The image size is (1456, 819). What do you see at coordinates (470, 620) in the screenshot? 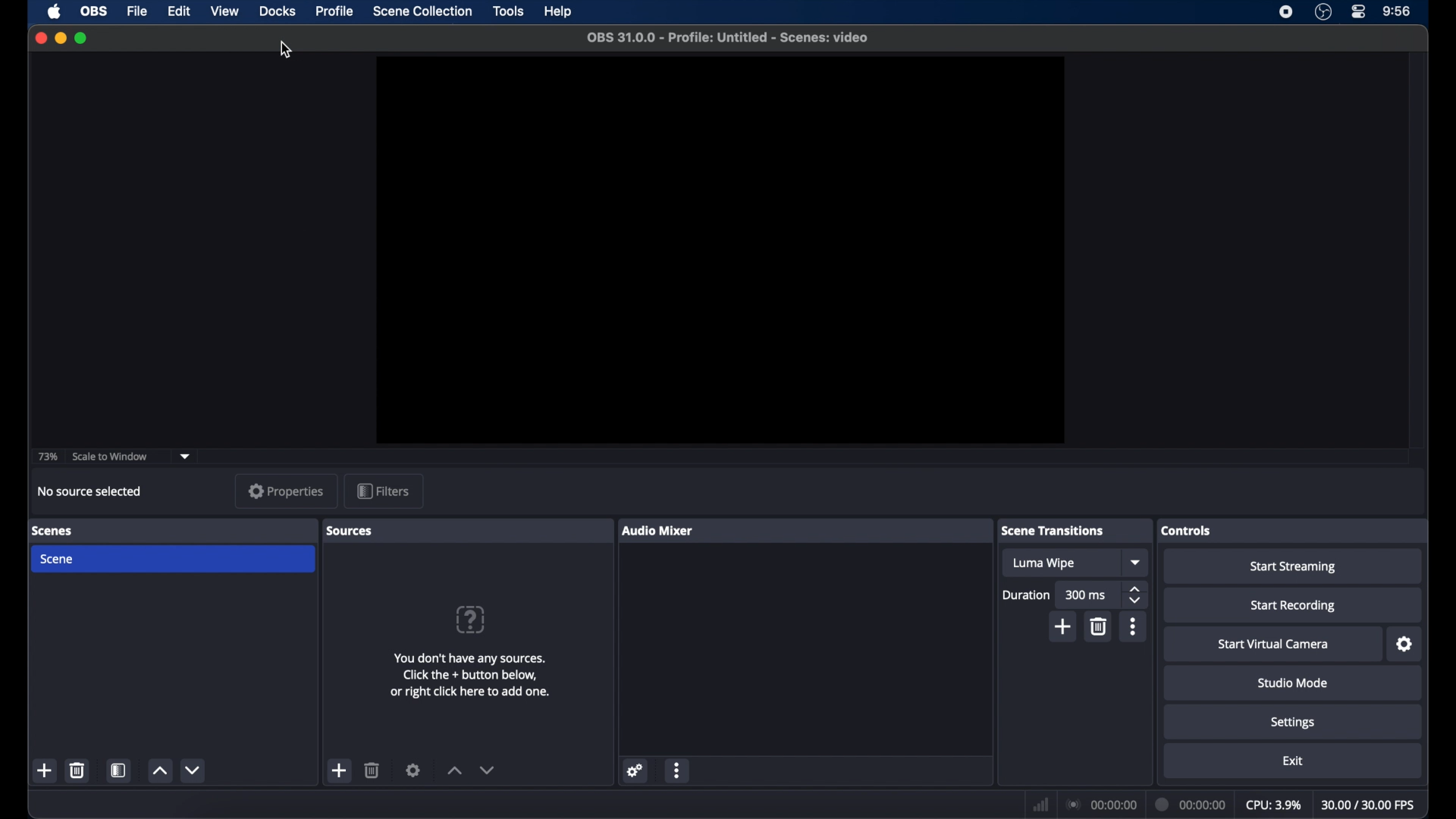
I see `help ` at bounding box center [470, 620].